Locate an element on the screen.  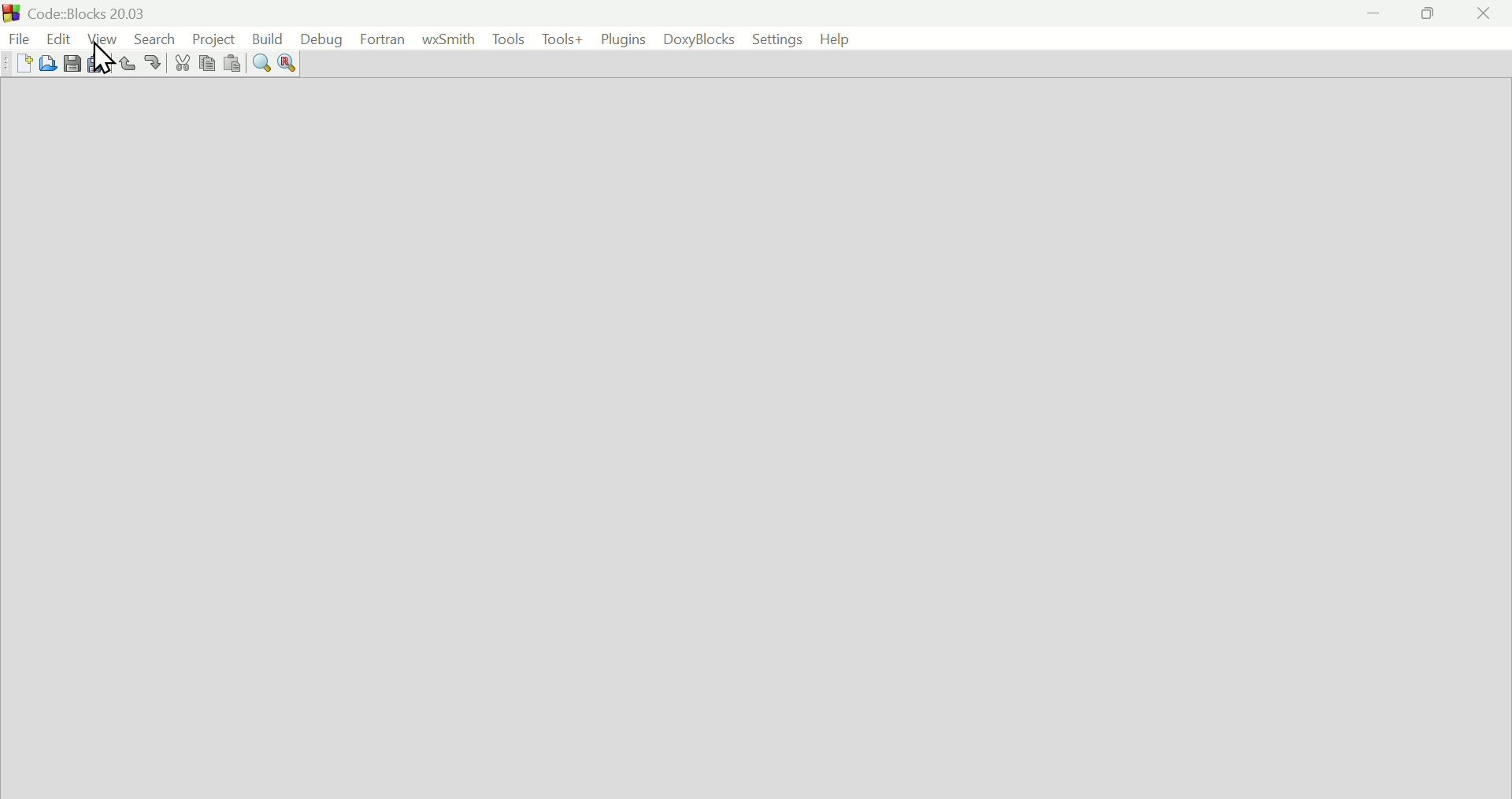
Code: Blocks Version is located at coordinates (91, 11).